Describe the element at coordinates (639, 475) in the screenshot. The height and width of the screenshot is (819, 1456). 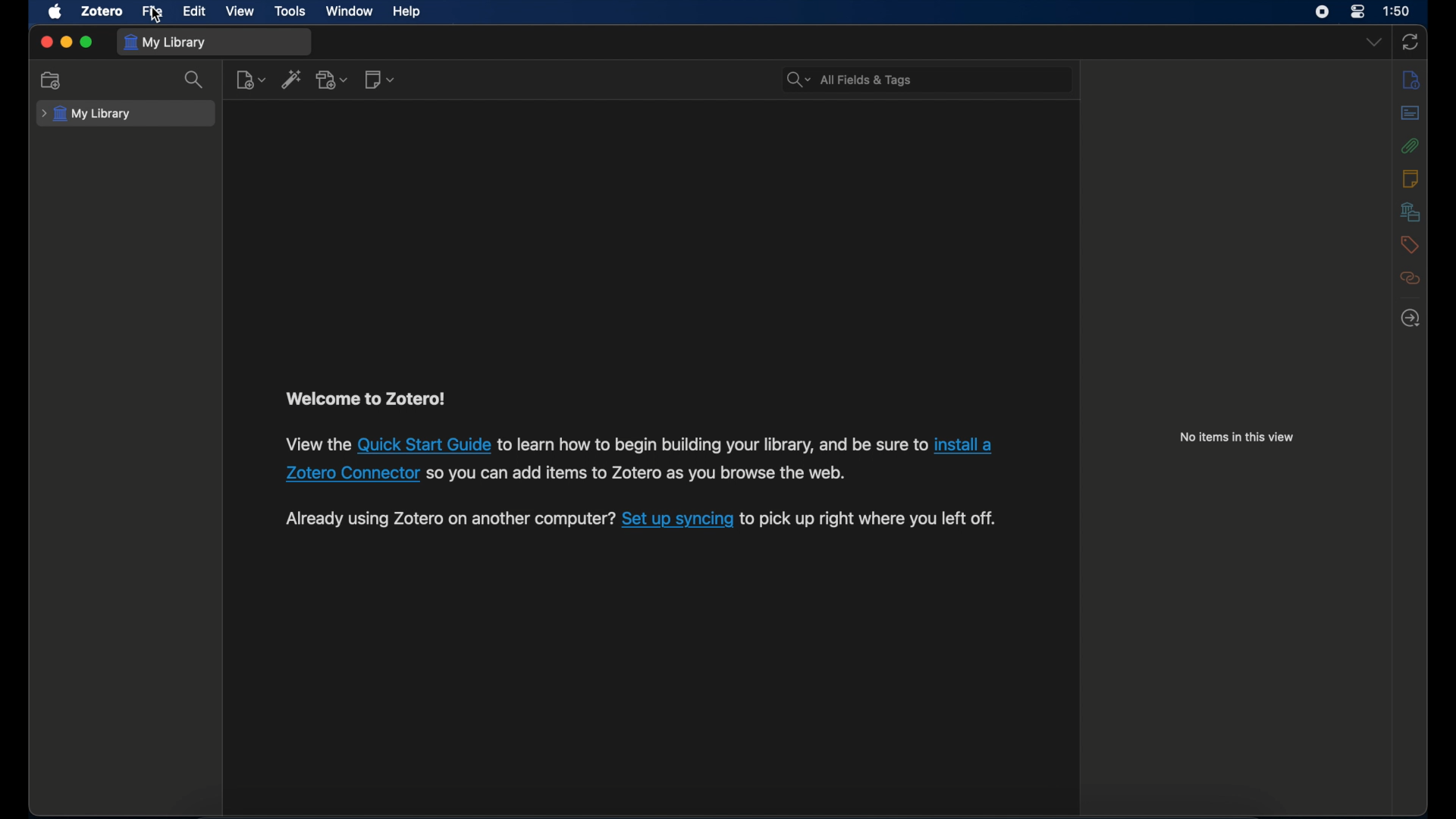
I see `so you can add items to Zotero as you browse the web.` at that location.